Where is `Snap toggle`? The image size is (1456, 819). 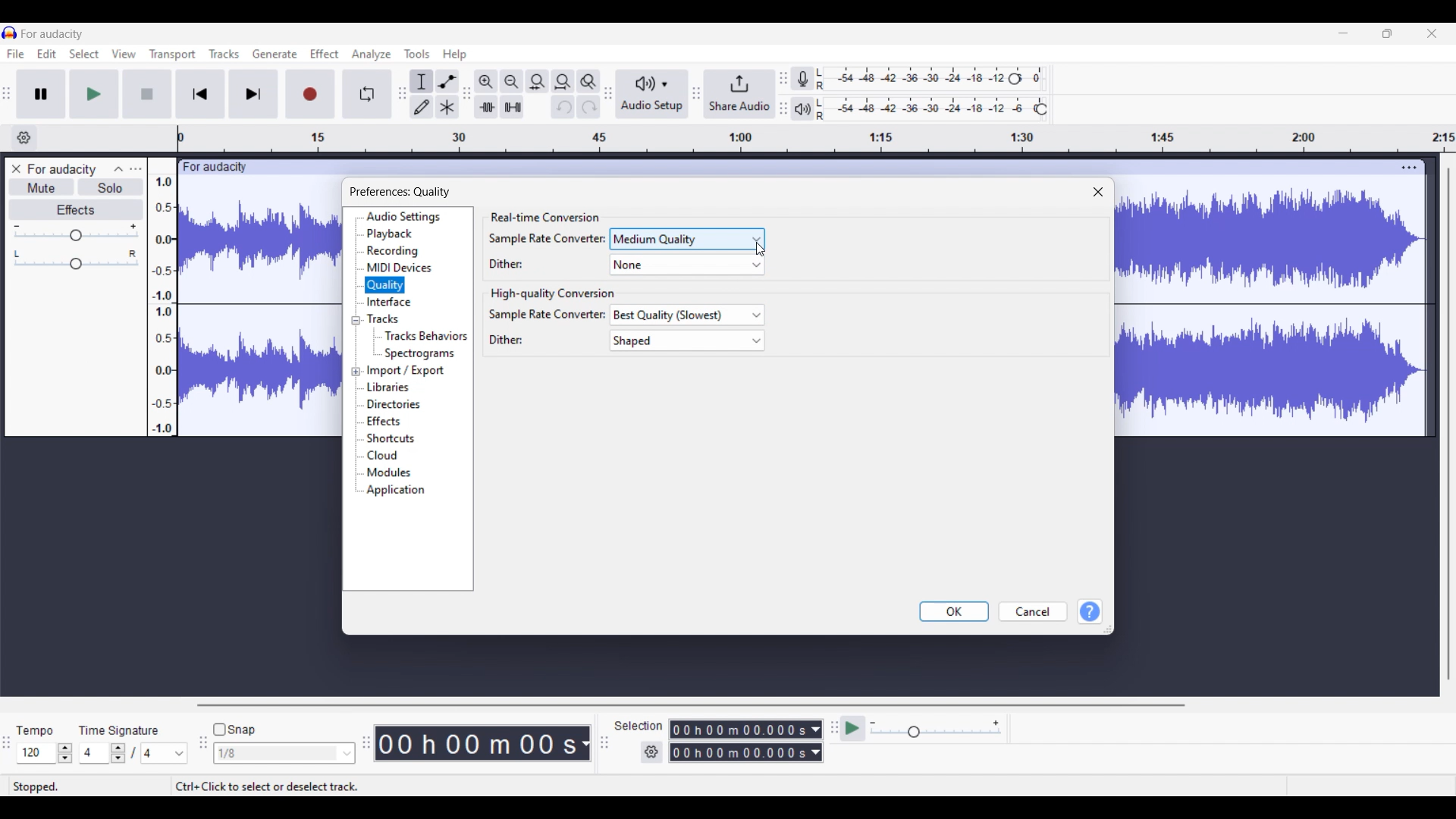 Snap toggle is located at coordinates (237, 730).